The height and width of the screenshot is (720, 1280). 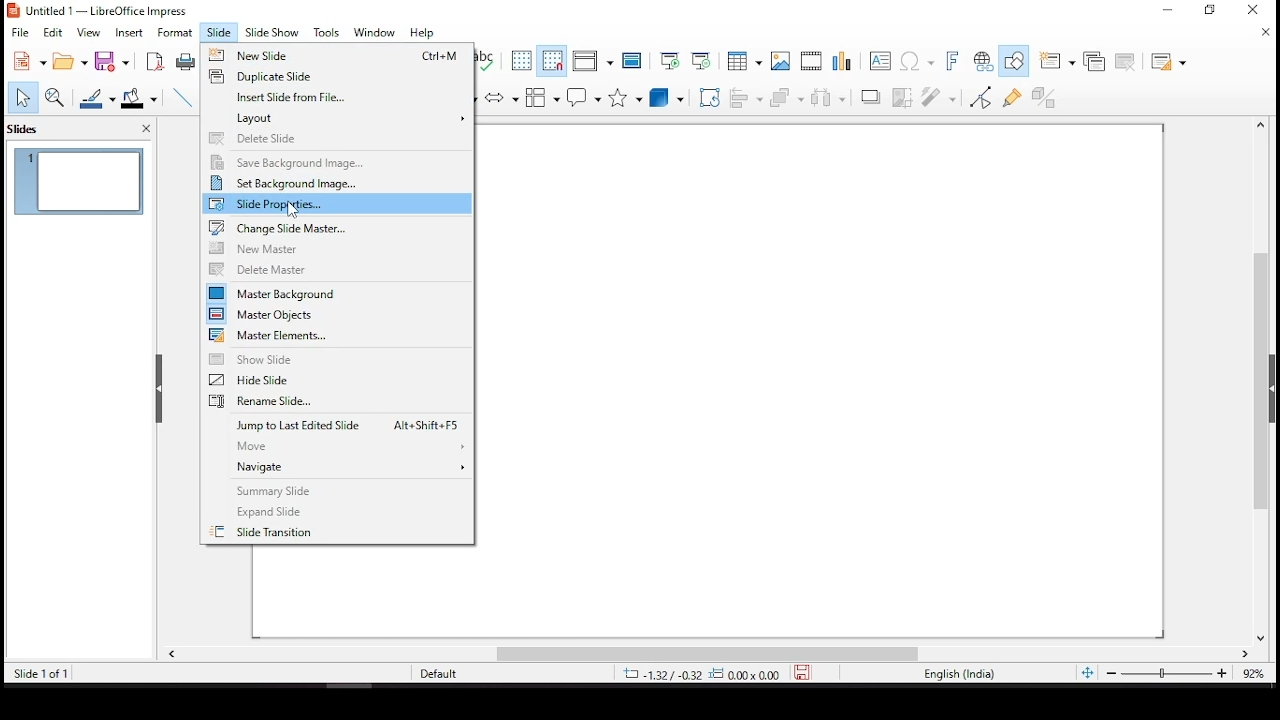 What do you see at coordinates (424, 31) in the screenshot?
I see `help` at bounding box center [424, 31].